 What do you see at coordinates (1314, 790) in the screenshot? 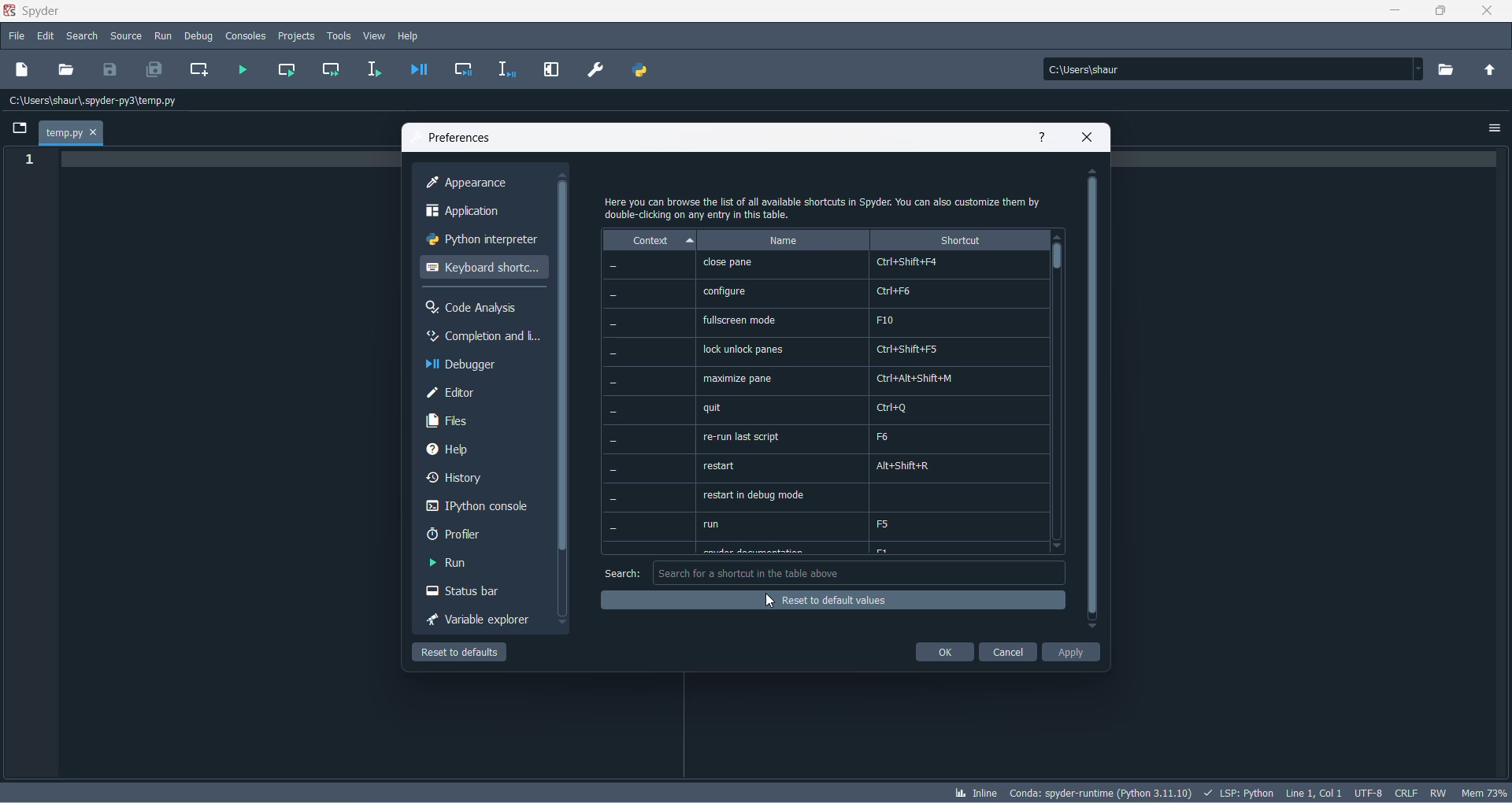
I see `line and column number` at bounding box center [1314, 790].